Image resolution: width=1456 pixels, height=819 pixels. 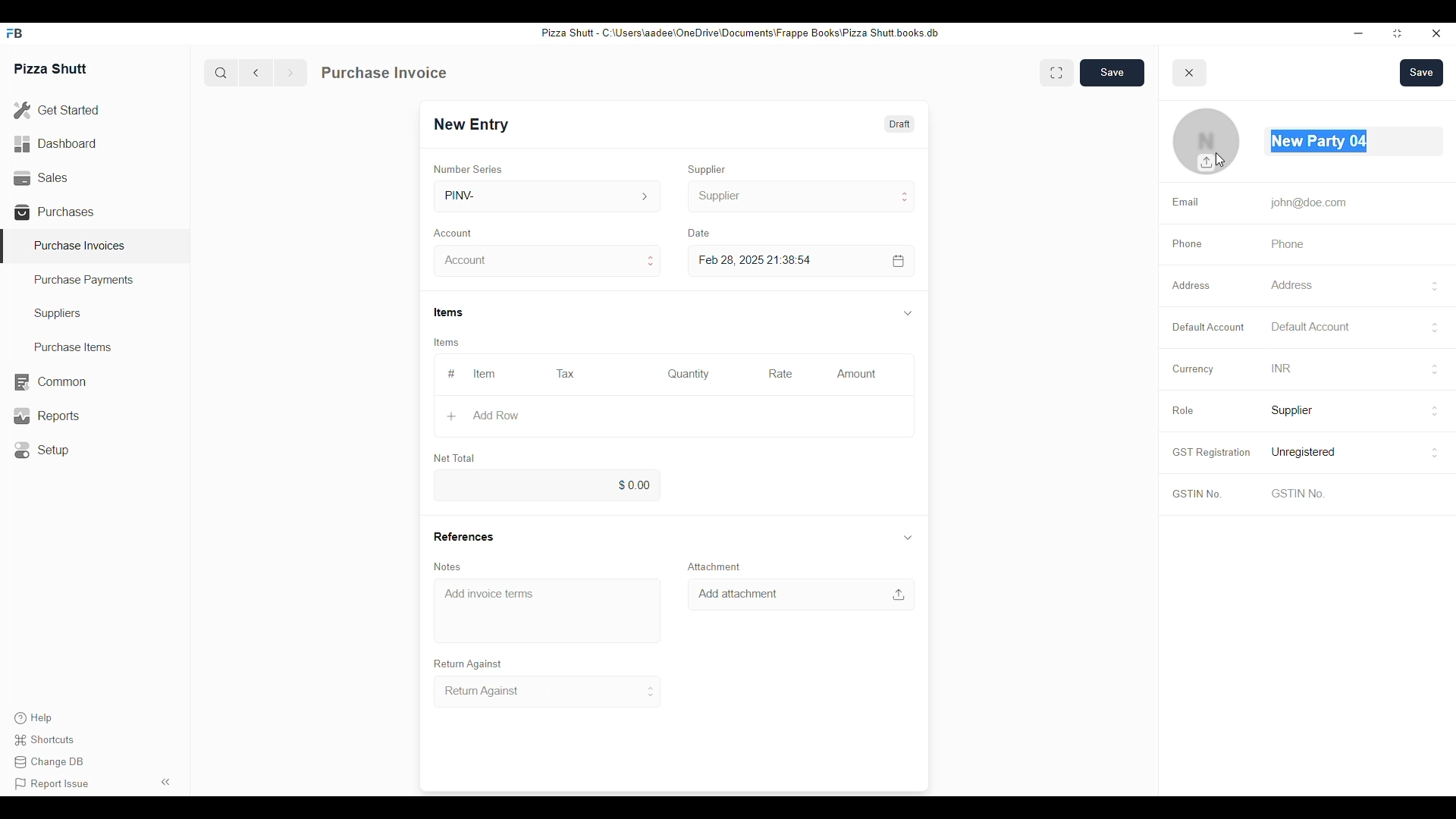 I want to click on Report issue, so click(x=52, y=784).